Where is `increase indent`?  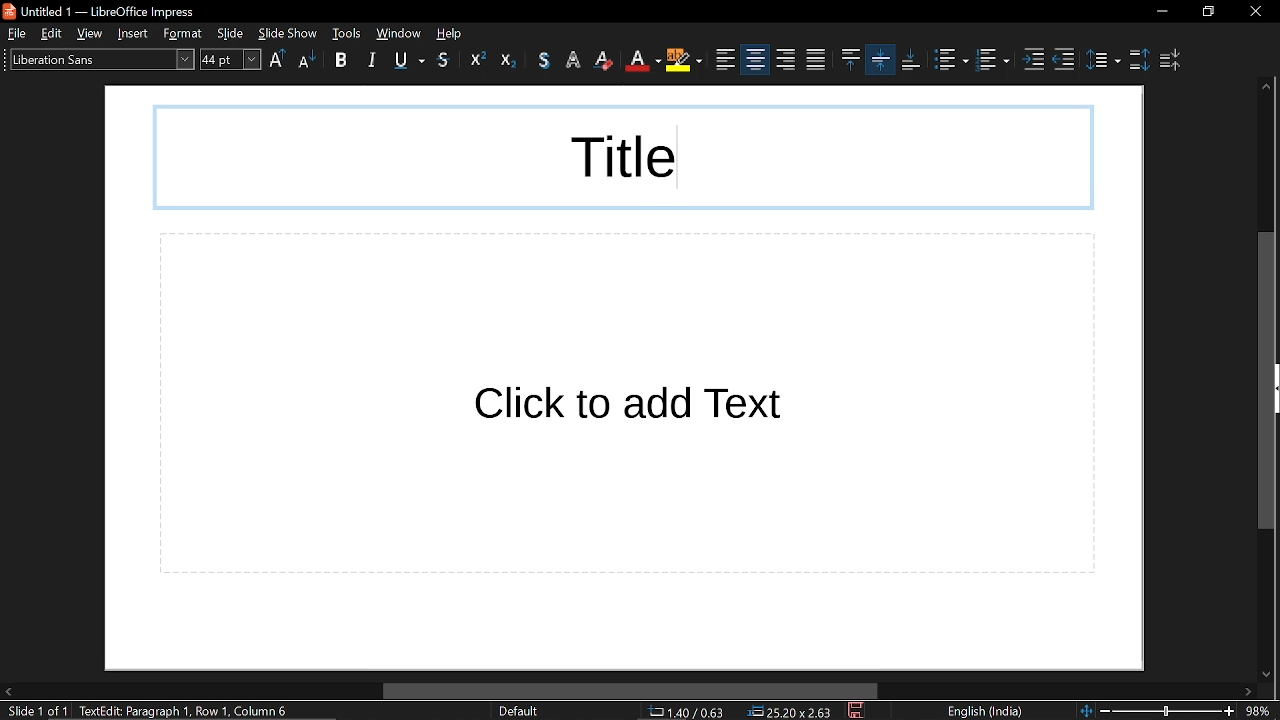 increase indent is located at coordinates (1036, 60).